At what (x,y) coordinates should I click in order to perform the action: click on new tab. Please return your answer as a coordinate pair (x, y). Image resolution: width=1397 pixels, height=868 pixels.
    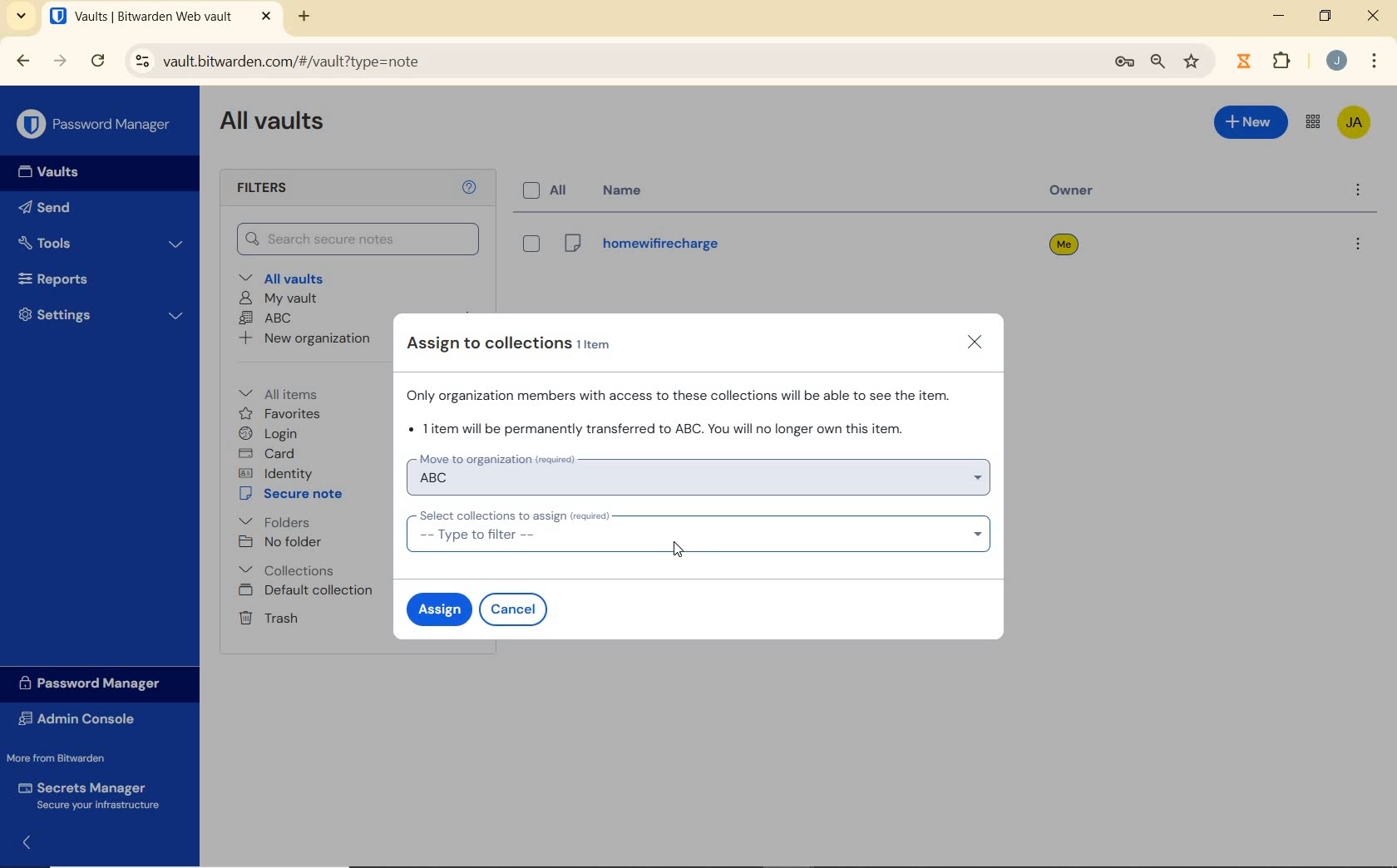
    Looking at the image, I should click on (306, 18).